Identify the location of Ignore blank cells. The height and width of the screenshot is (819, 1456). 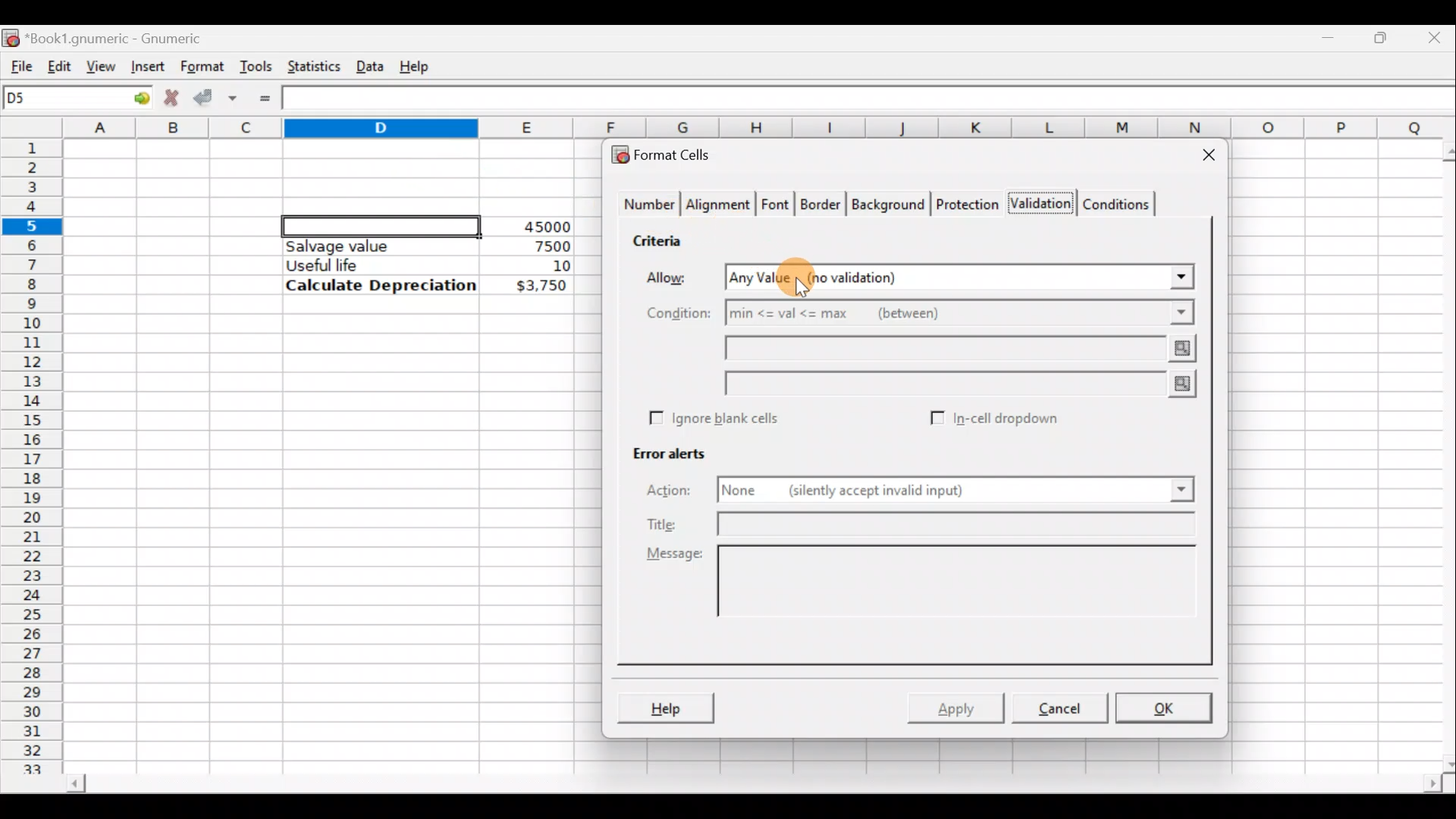
(715, 416).